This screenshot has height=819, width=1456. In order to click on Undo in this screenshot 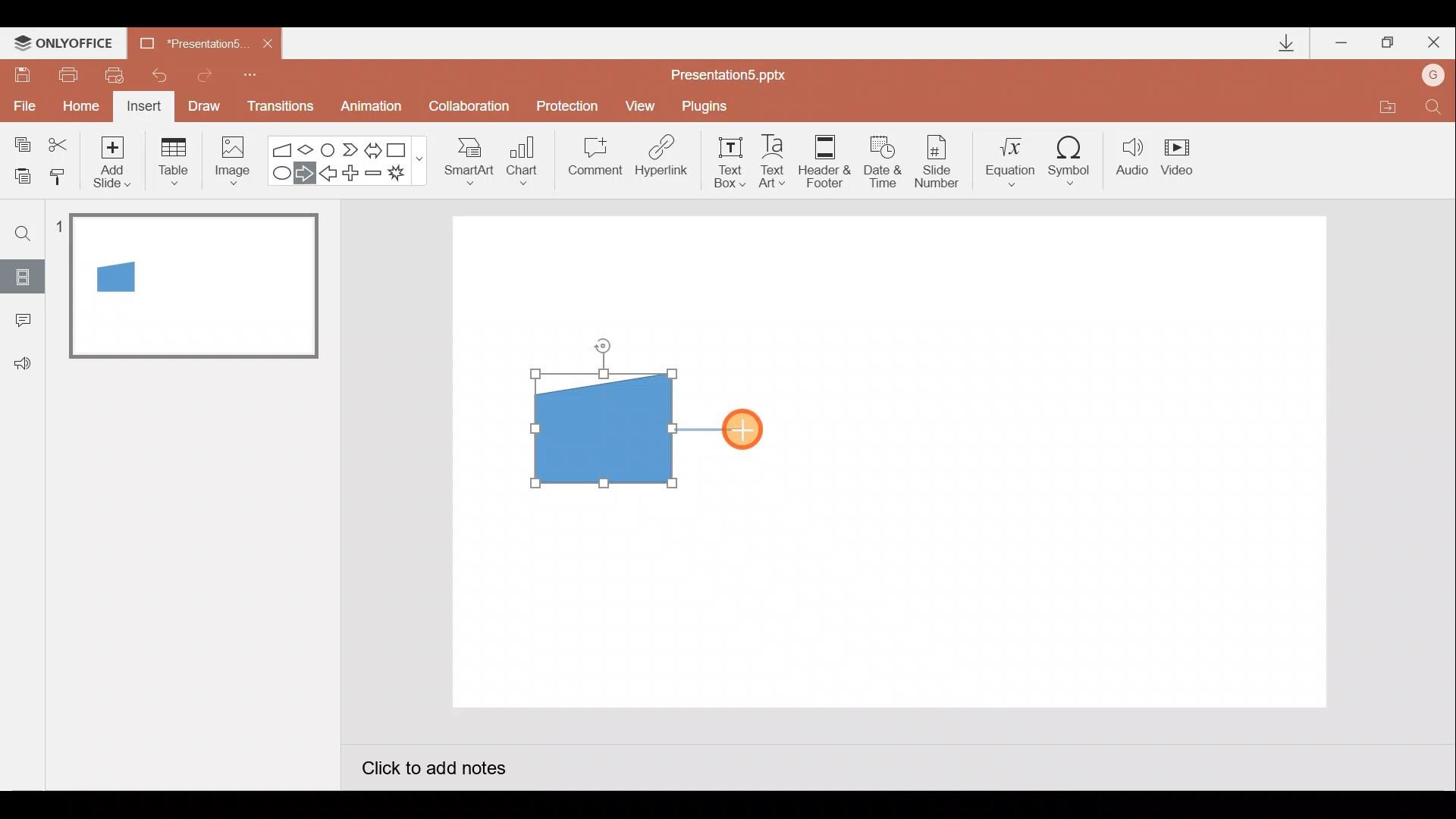, I will do `click(162, 75)`.